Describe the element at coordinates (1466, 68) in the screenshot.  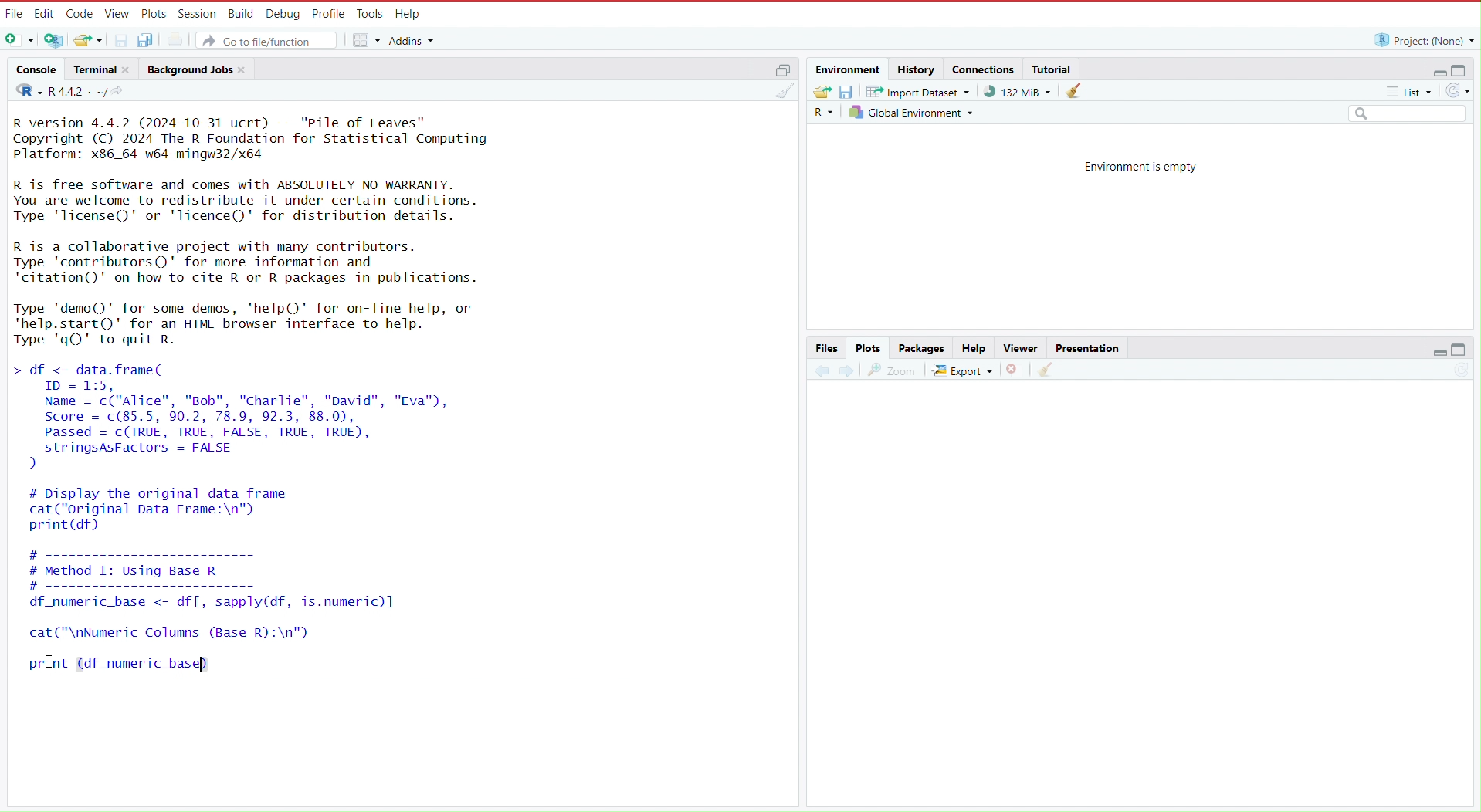
I see `maximize` at that location.